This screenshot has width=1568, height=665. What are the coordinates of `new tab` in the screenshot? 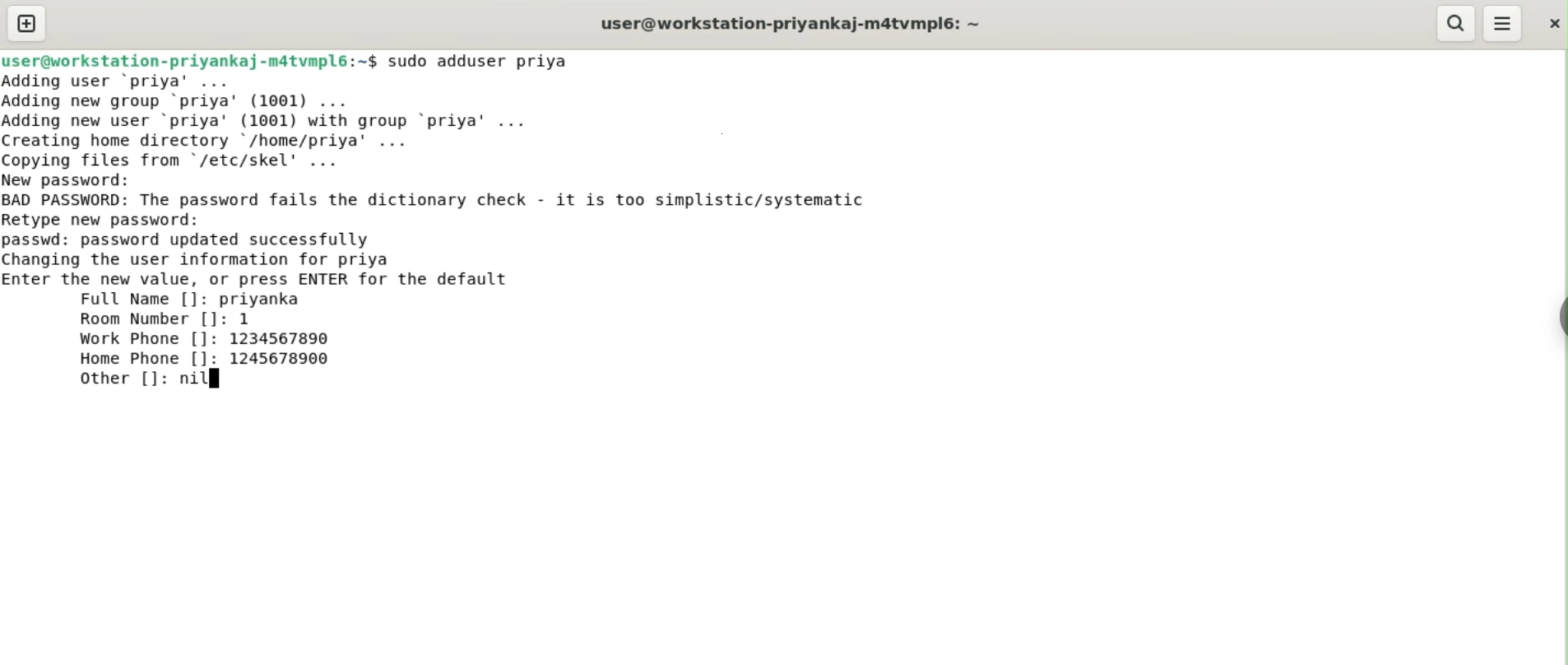 It's located at (26, 23).